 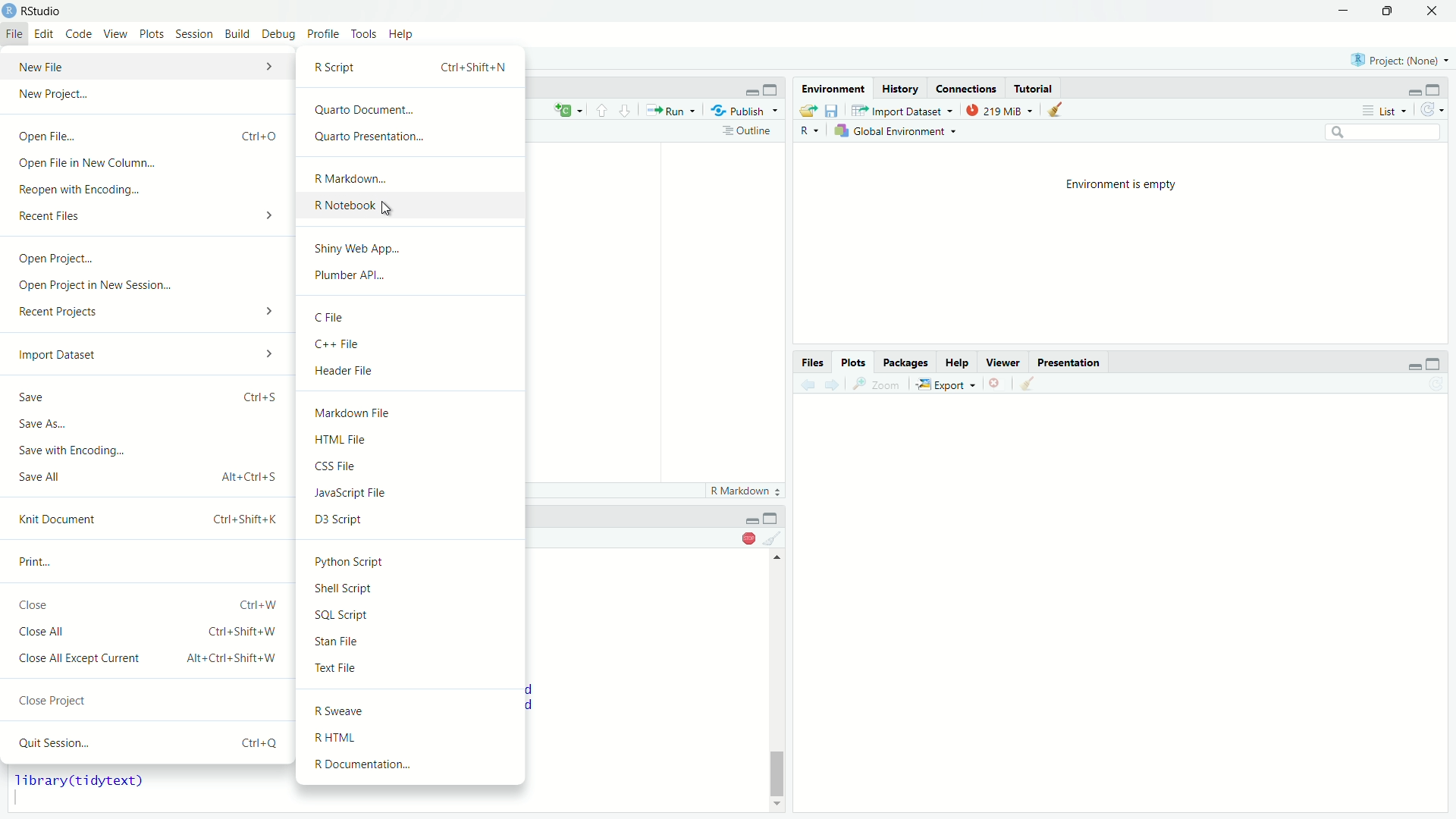 I want to click on minimize pane, so click(x=750, y=88).